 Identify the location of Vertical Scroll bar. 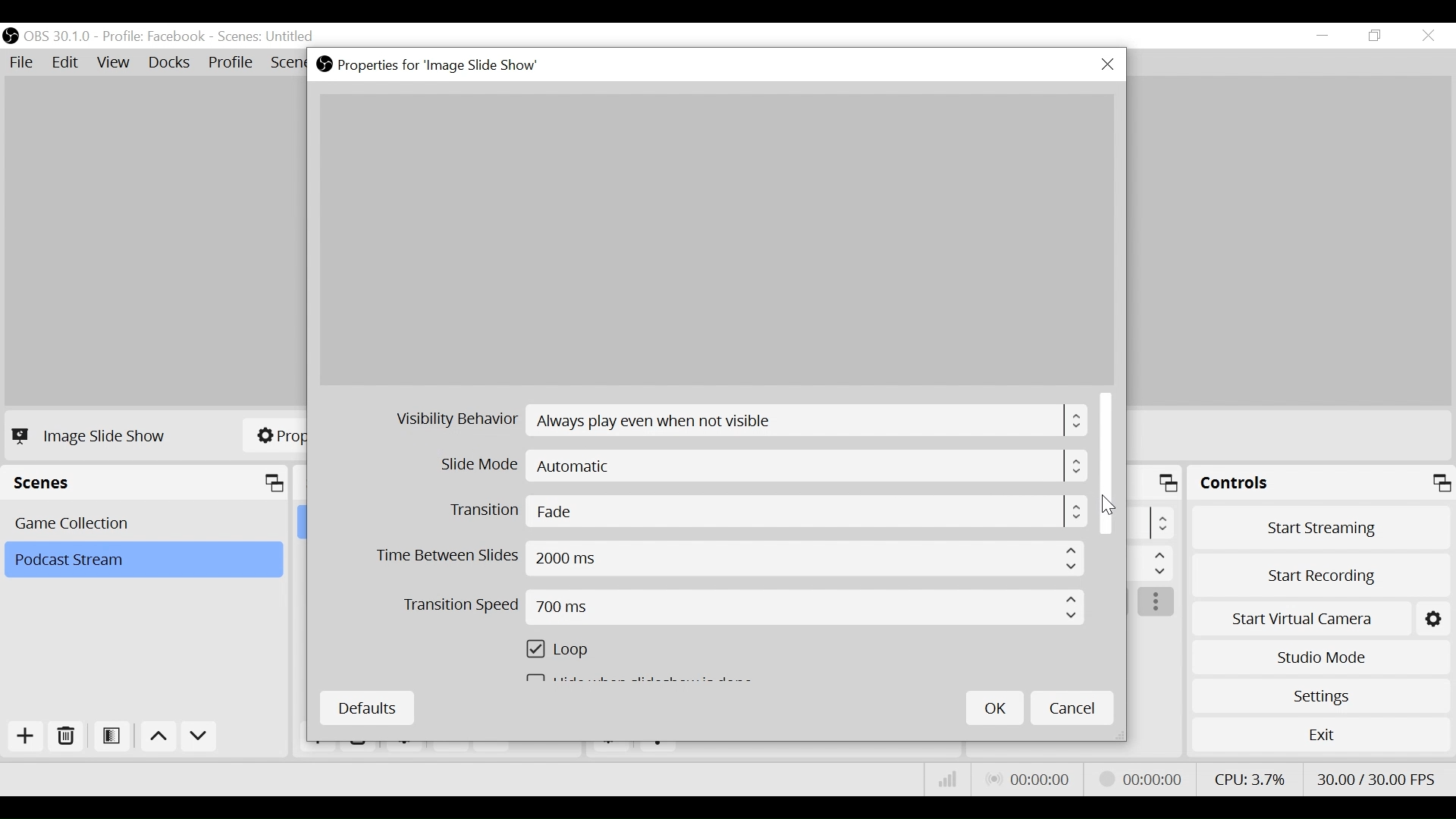
(1108, 463).